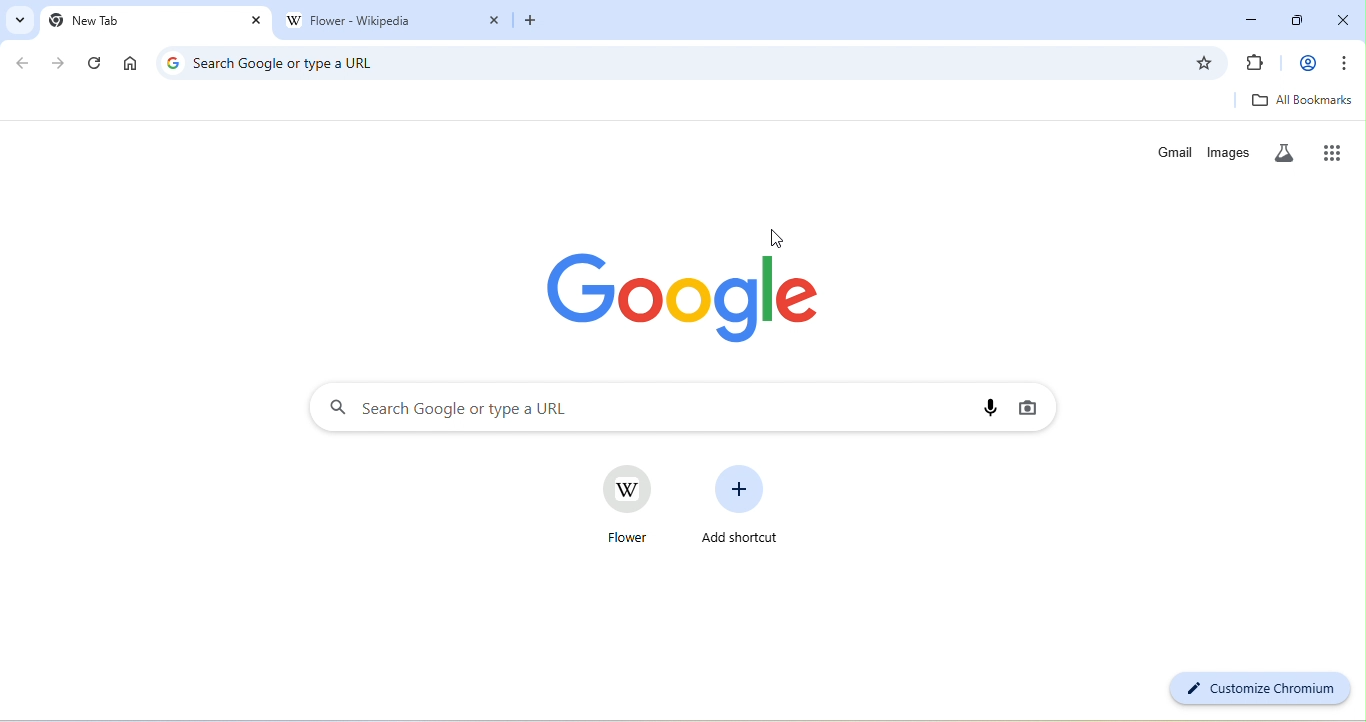 The width and height of the screenshot is (1366, 722). What do you see at coordinates (668, 469) in the screenshot?
I see `options` at bounding box center [668, 469].